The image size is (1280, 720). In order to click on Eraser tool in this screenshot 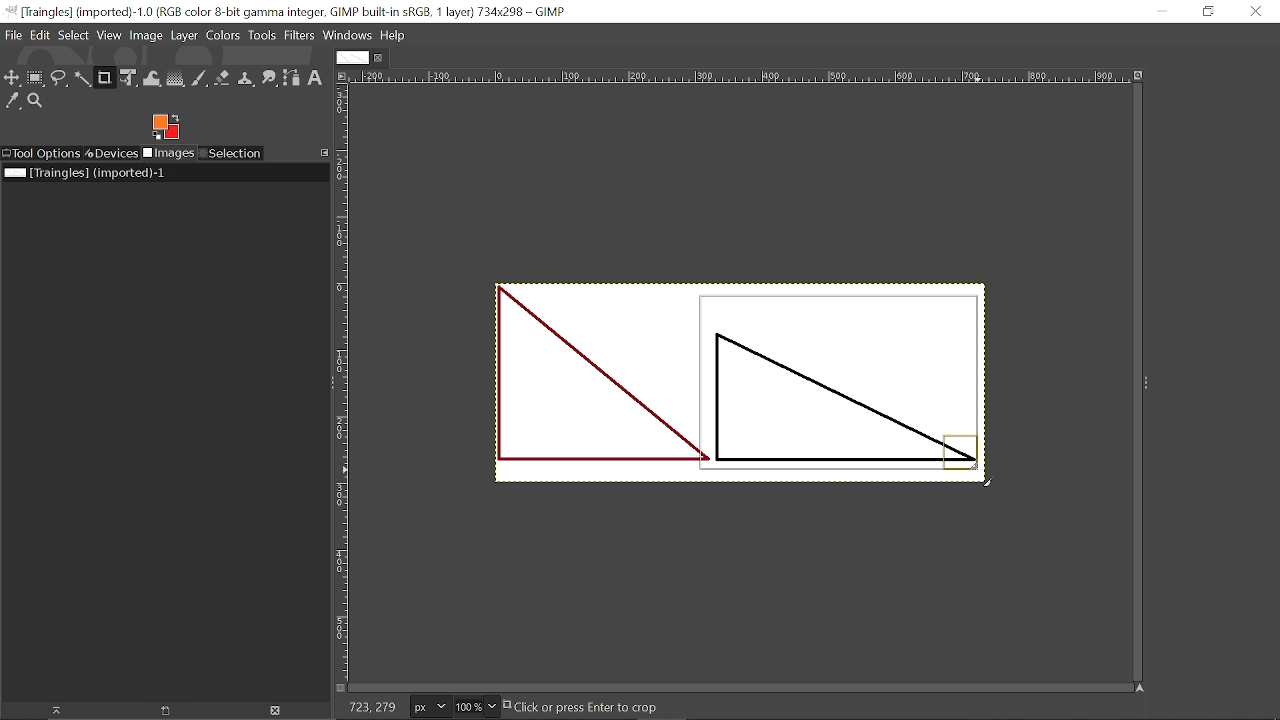, I will do `click(222, 78)`.